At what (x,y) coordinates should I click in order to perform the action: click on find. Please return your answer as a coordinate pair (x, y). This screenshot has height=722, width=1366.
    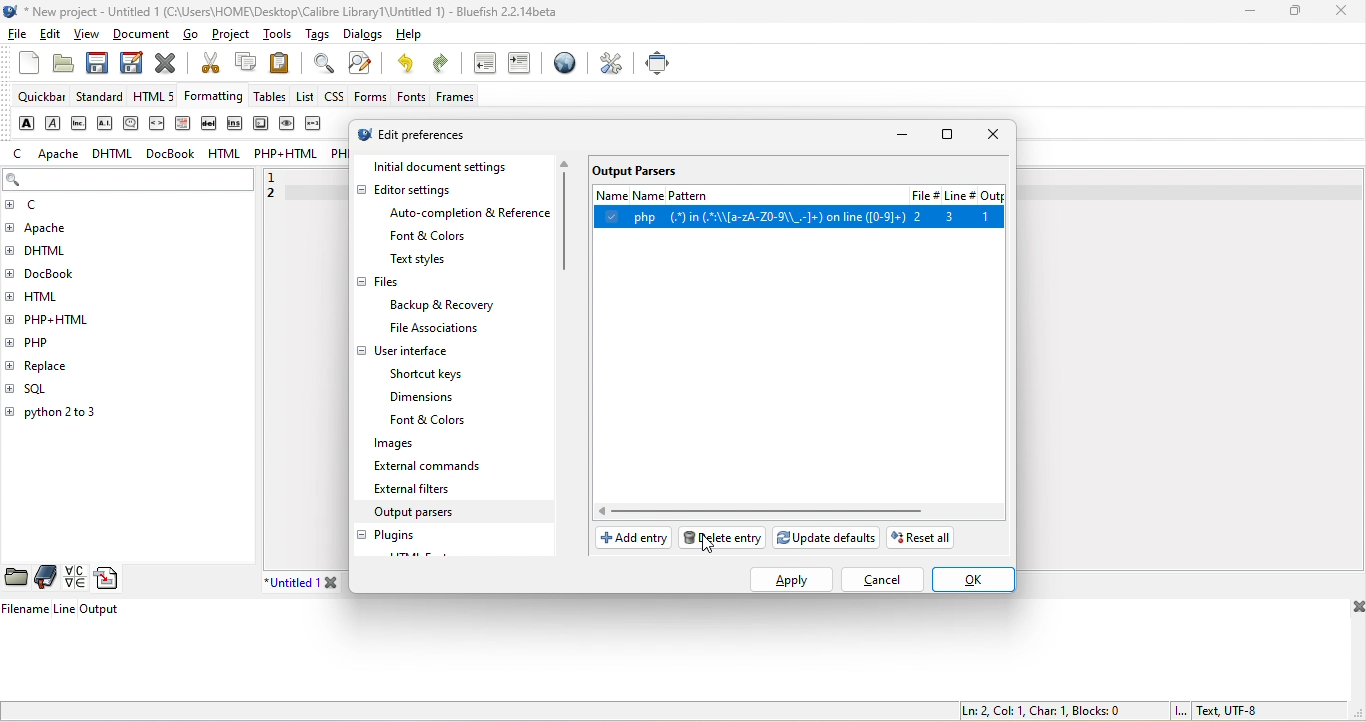
    Looking at the image, I should click on (320, 63).